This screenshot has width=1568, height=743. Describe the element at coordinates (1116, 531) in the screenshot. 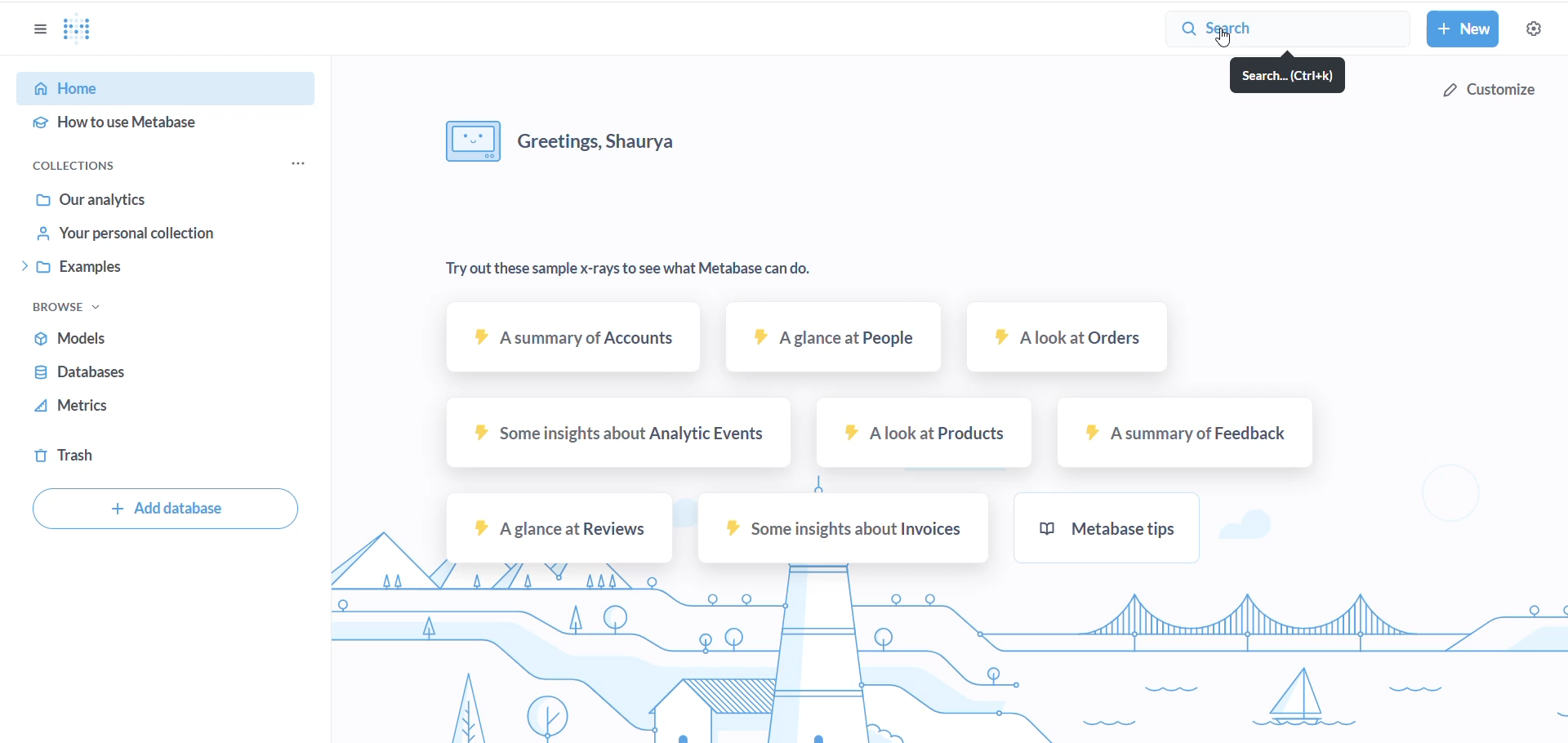

I see `metabase tips ` at that location.